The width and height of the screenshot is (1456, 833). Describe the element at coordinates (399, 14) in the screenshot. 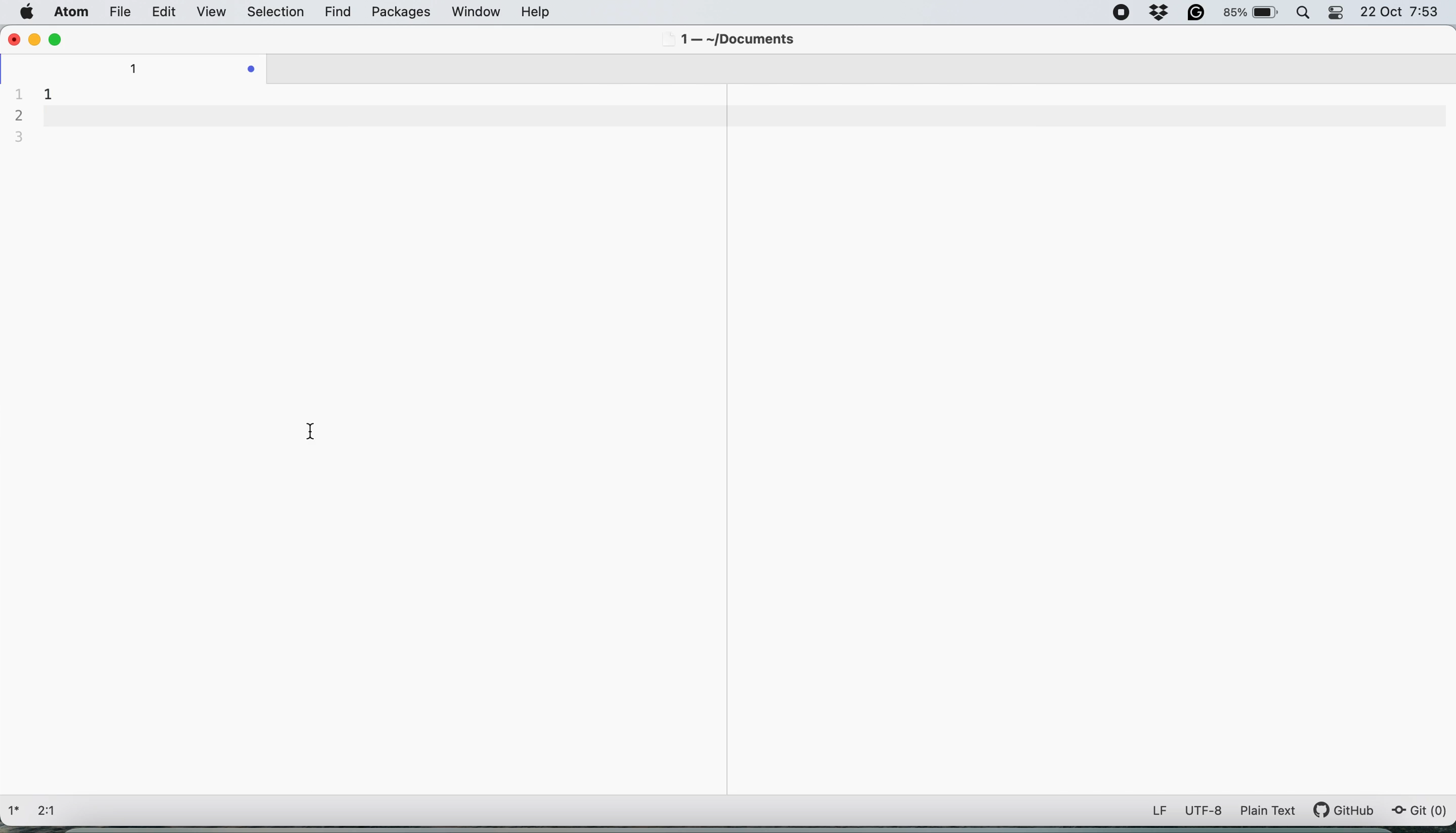

I see `packages` at that location.